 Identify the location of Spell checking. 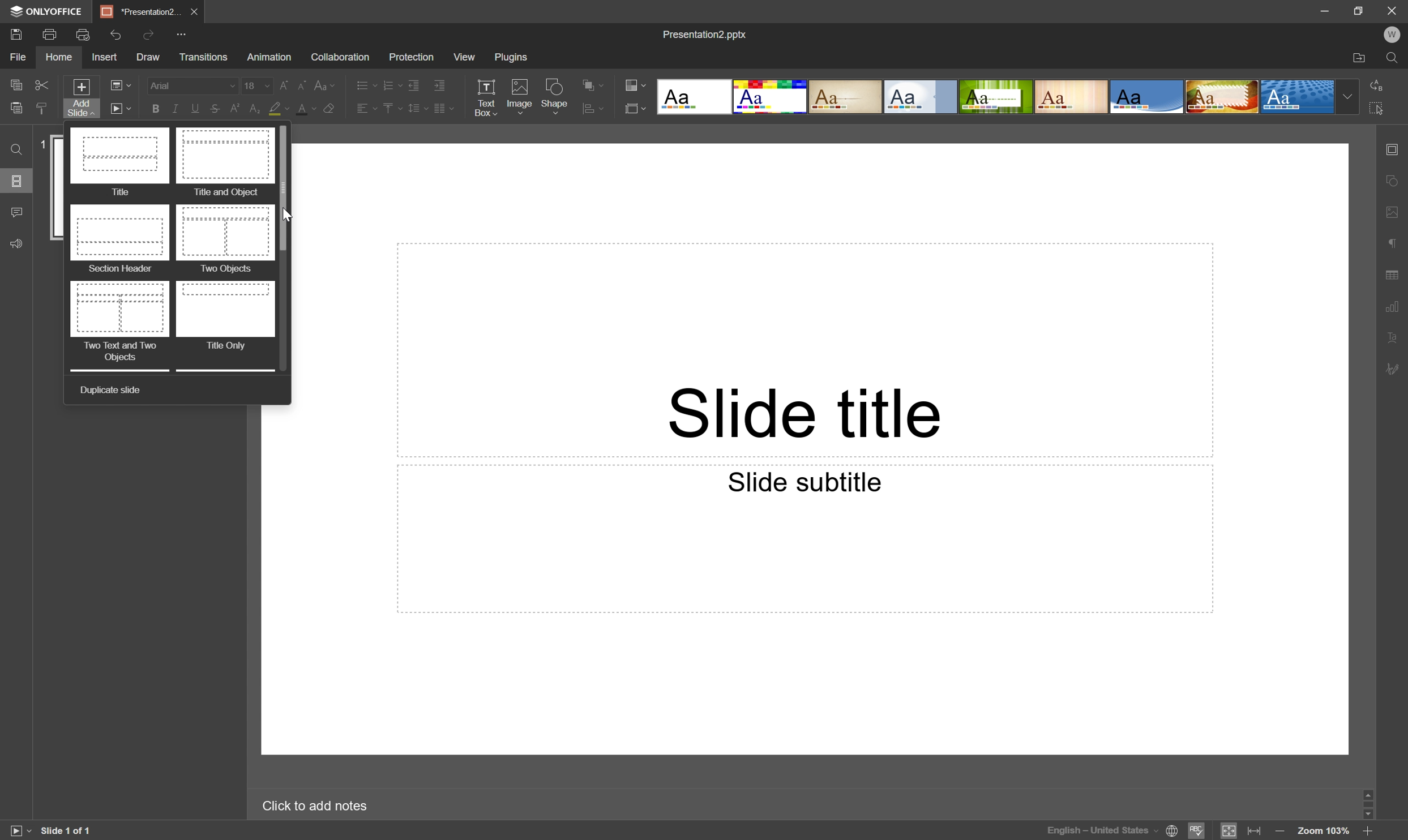
(1198, 830).